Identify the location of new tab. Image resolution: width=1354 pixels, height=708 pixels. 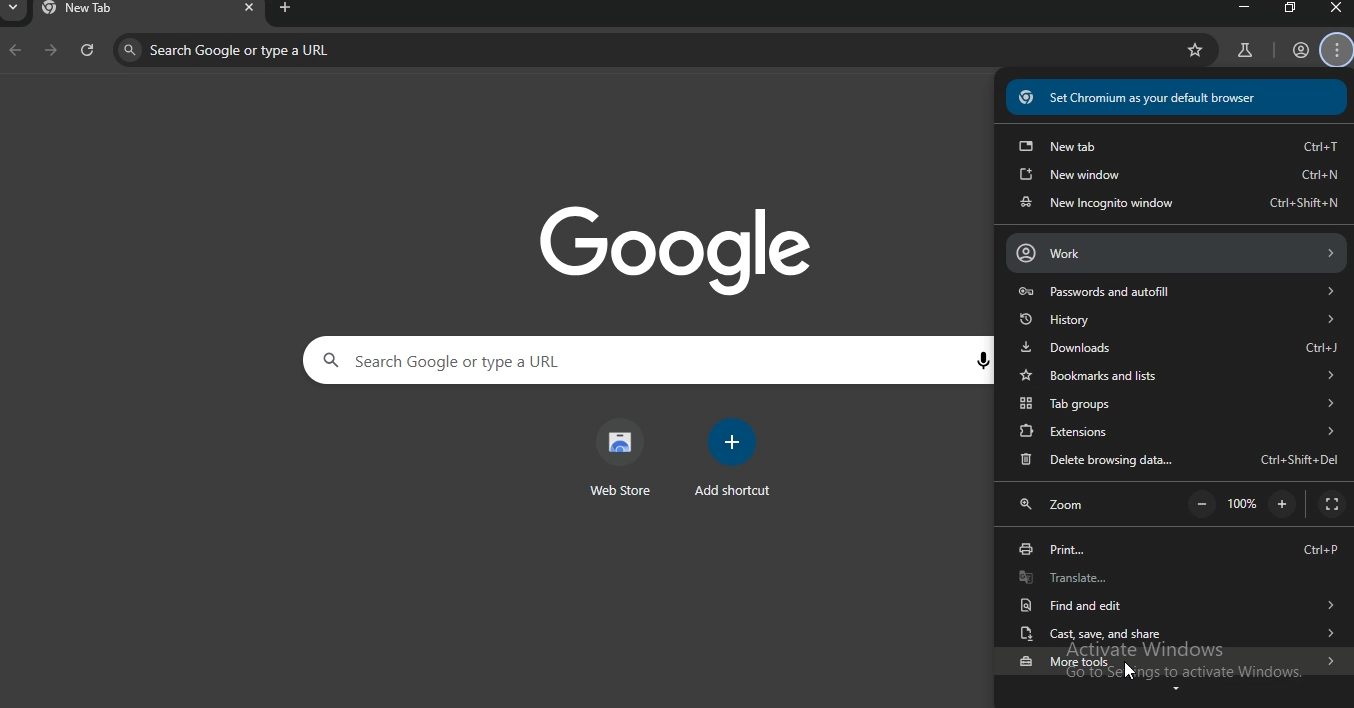
(1179, 146).